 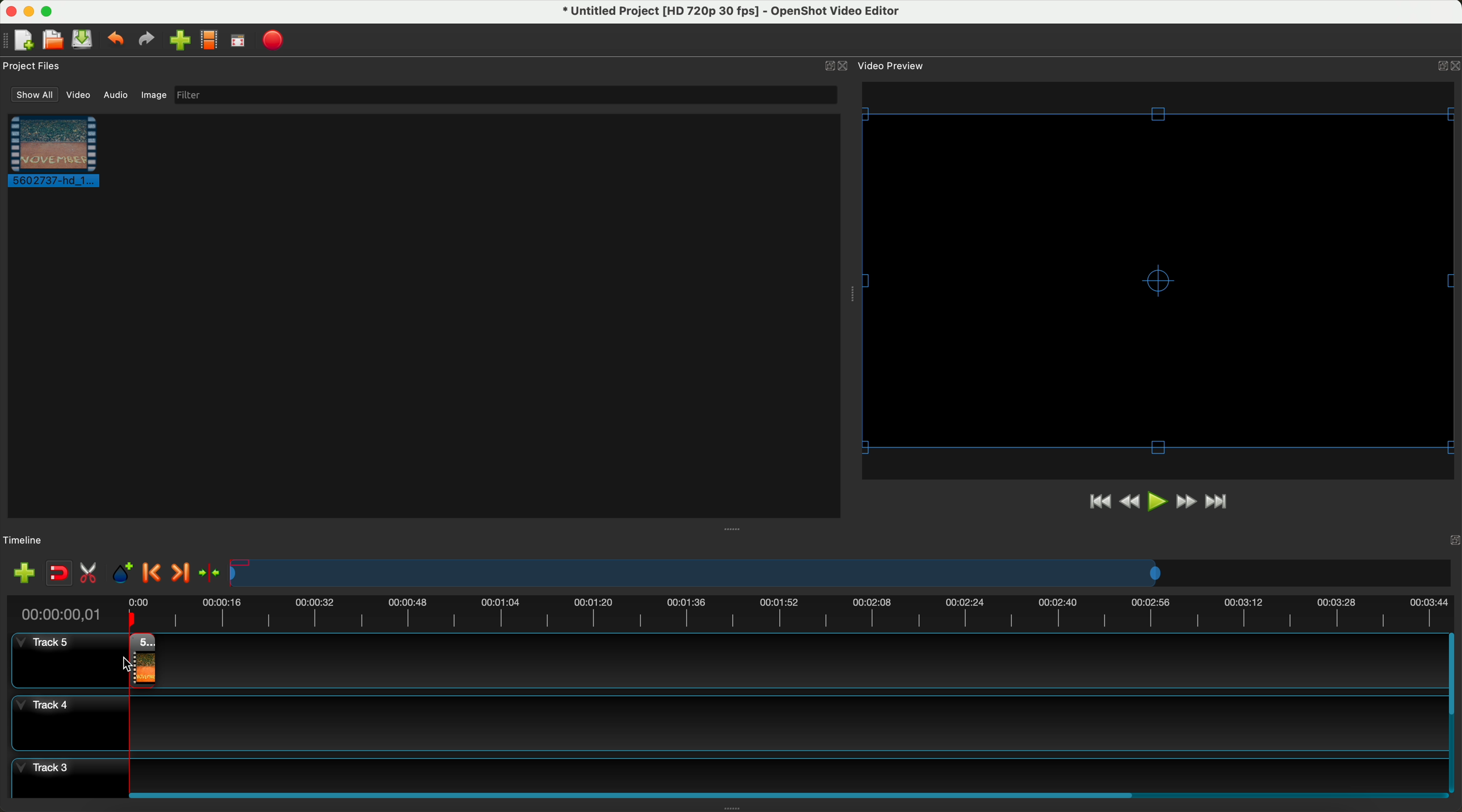 What do you see at coordinates (50, 11) in the screenshot?
I see `maximize` at bounding box center [50, 11].